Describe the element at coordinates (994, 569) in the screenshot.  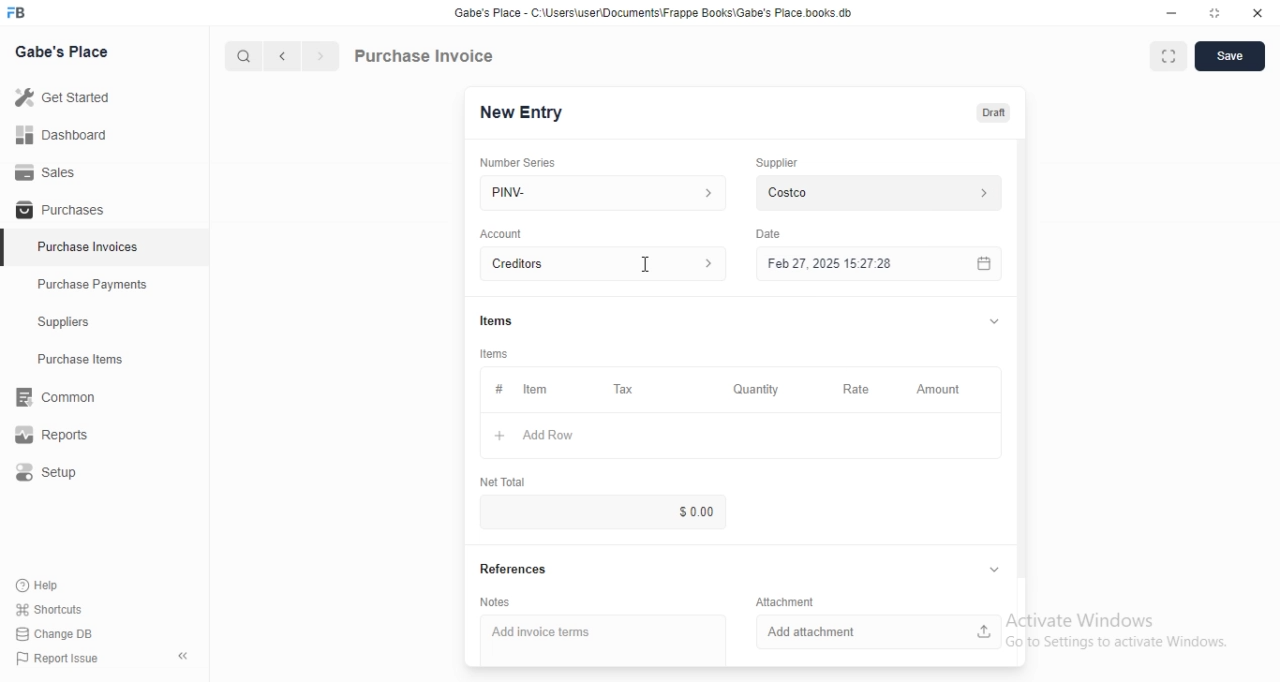
I see `Collapse` at that location.